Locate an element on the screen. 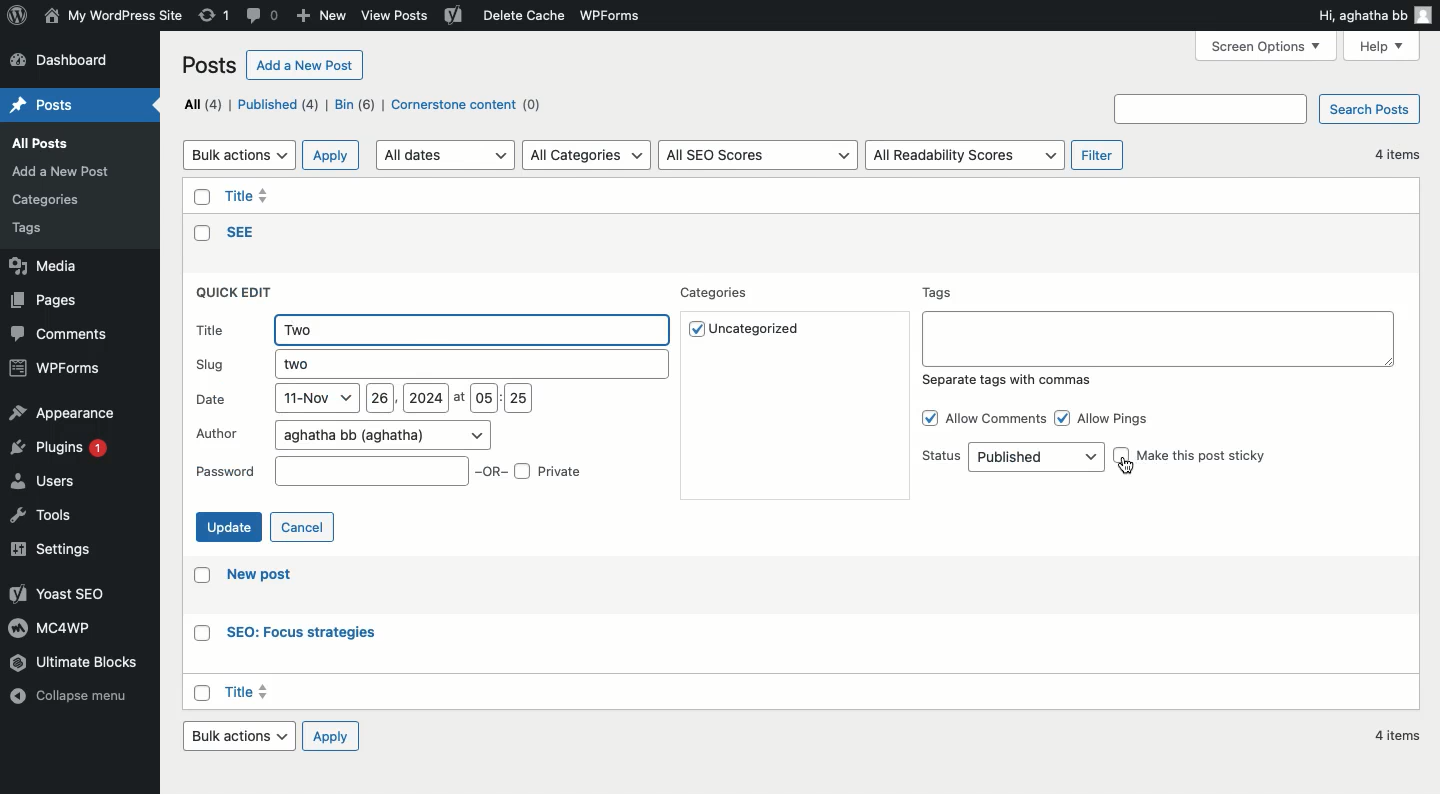 The width and height of the screenshot is (1440, 794). Author is located at coordinates (343, 434).